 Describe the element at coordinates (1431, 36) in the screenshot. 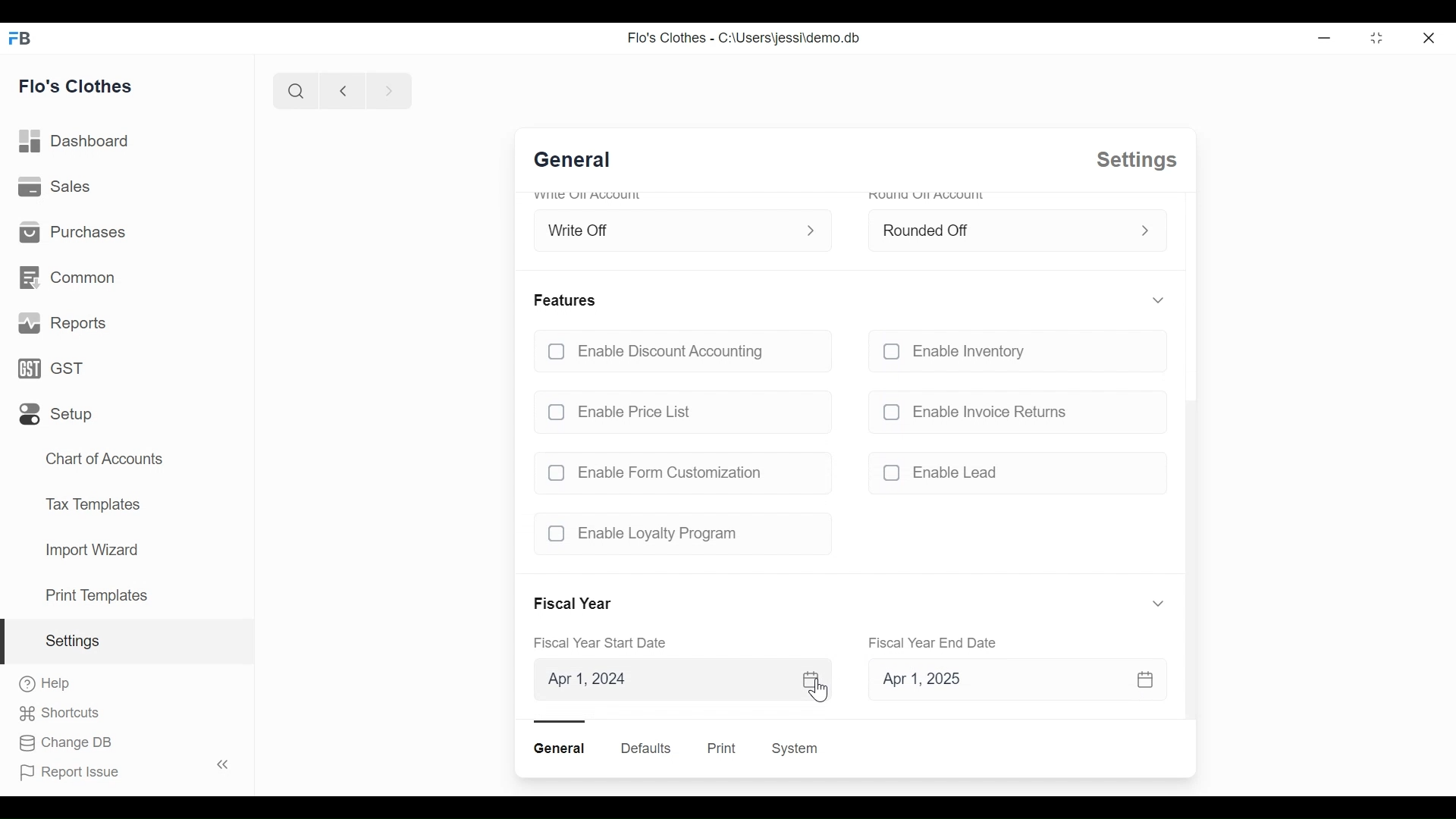

I see `Close` at that location.